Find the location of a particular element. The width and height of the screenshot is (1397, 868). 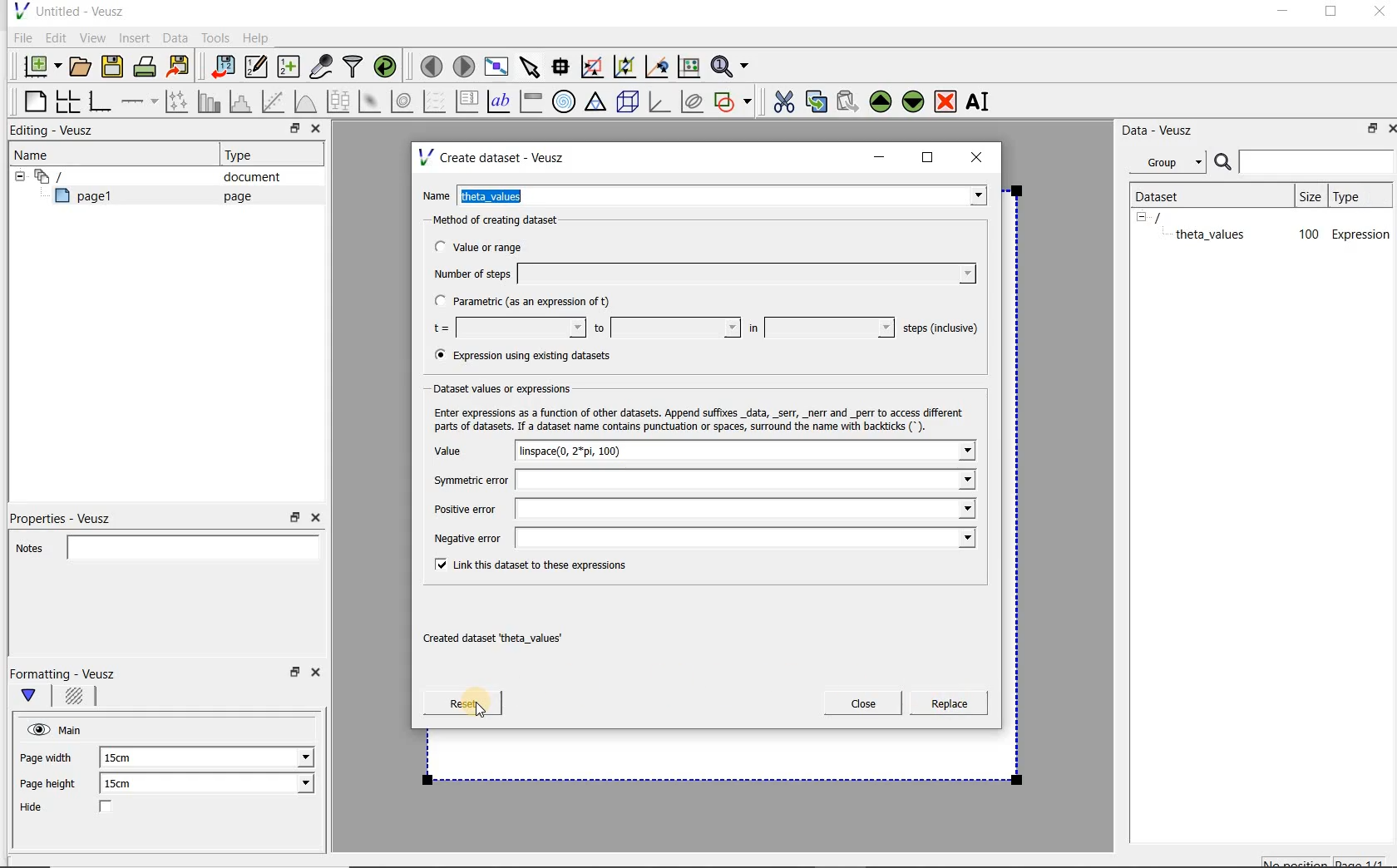

Move the selected widget up is located at coordinates (881, 101).